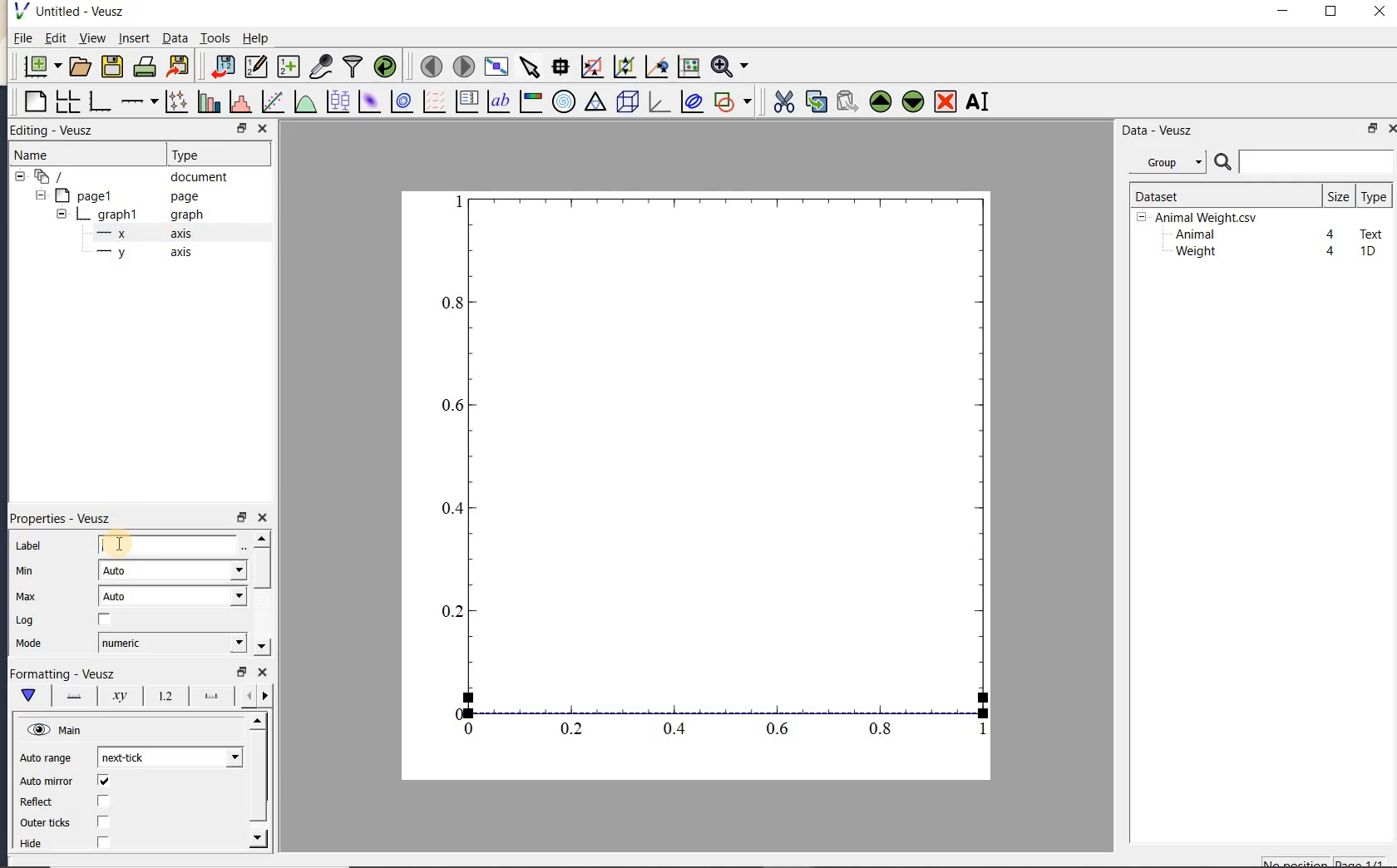  Describe the element at coordinates (260, 593) in the screenshot. I see `scrollbar` at that location.